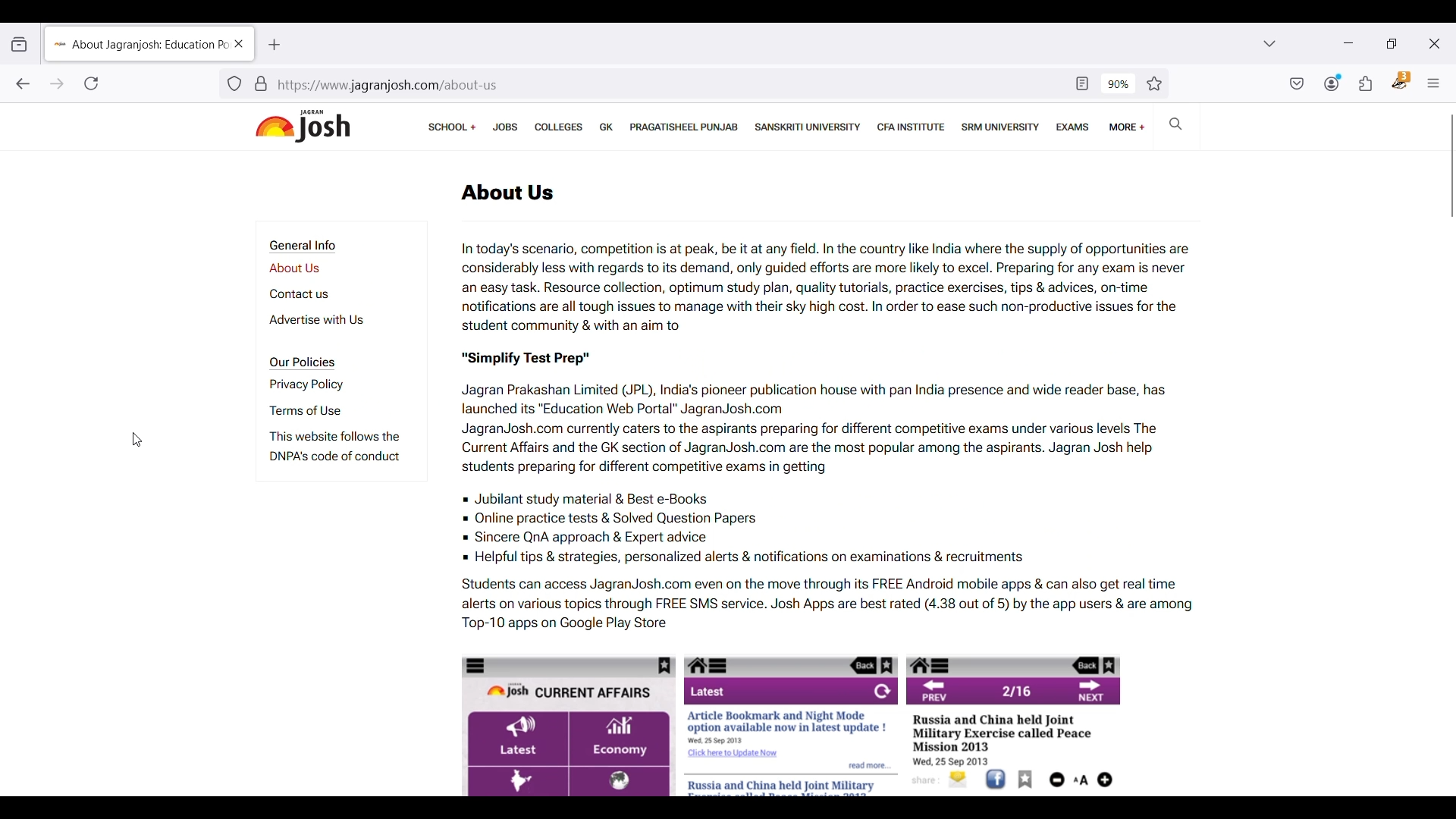  I want to click on Terms of use page, so click(328, 410).